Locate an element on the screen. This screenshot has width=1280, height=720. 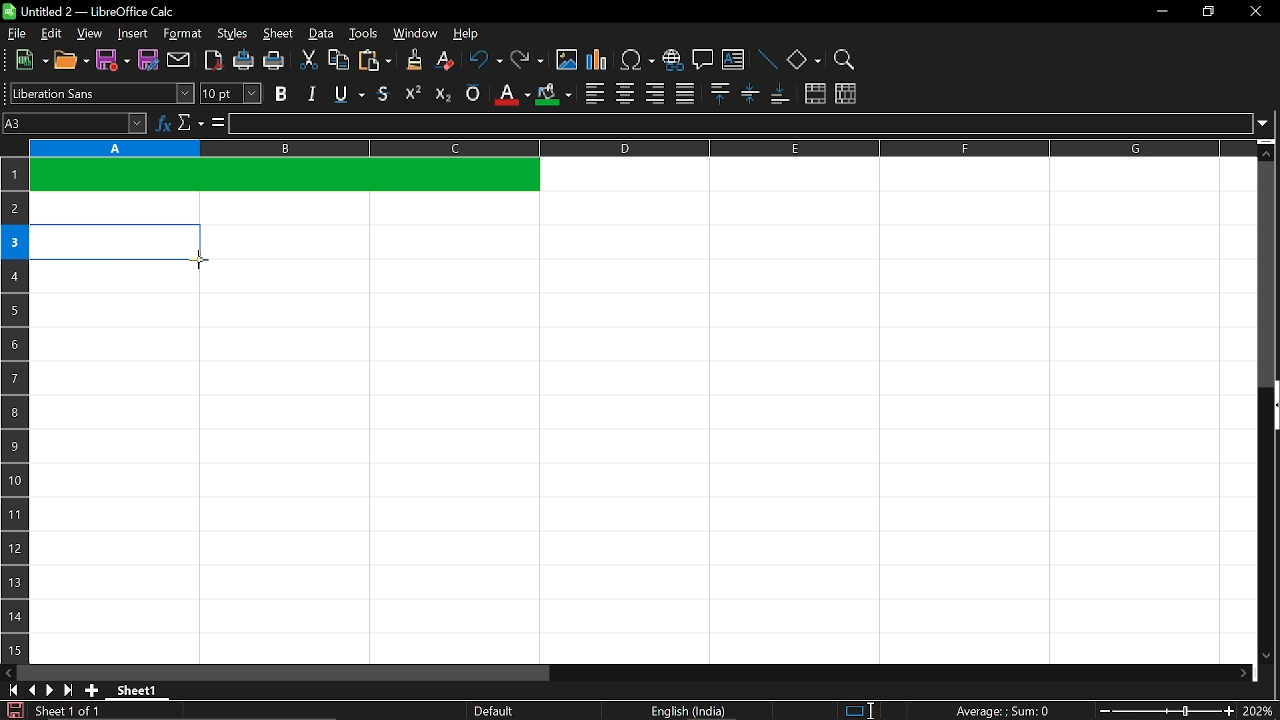
standard selection is located at coordinates (860, 711).